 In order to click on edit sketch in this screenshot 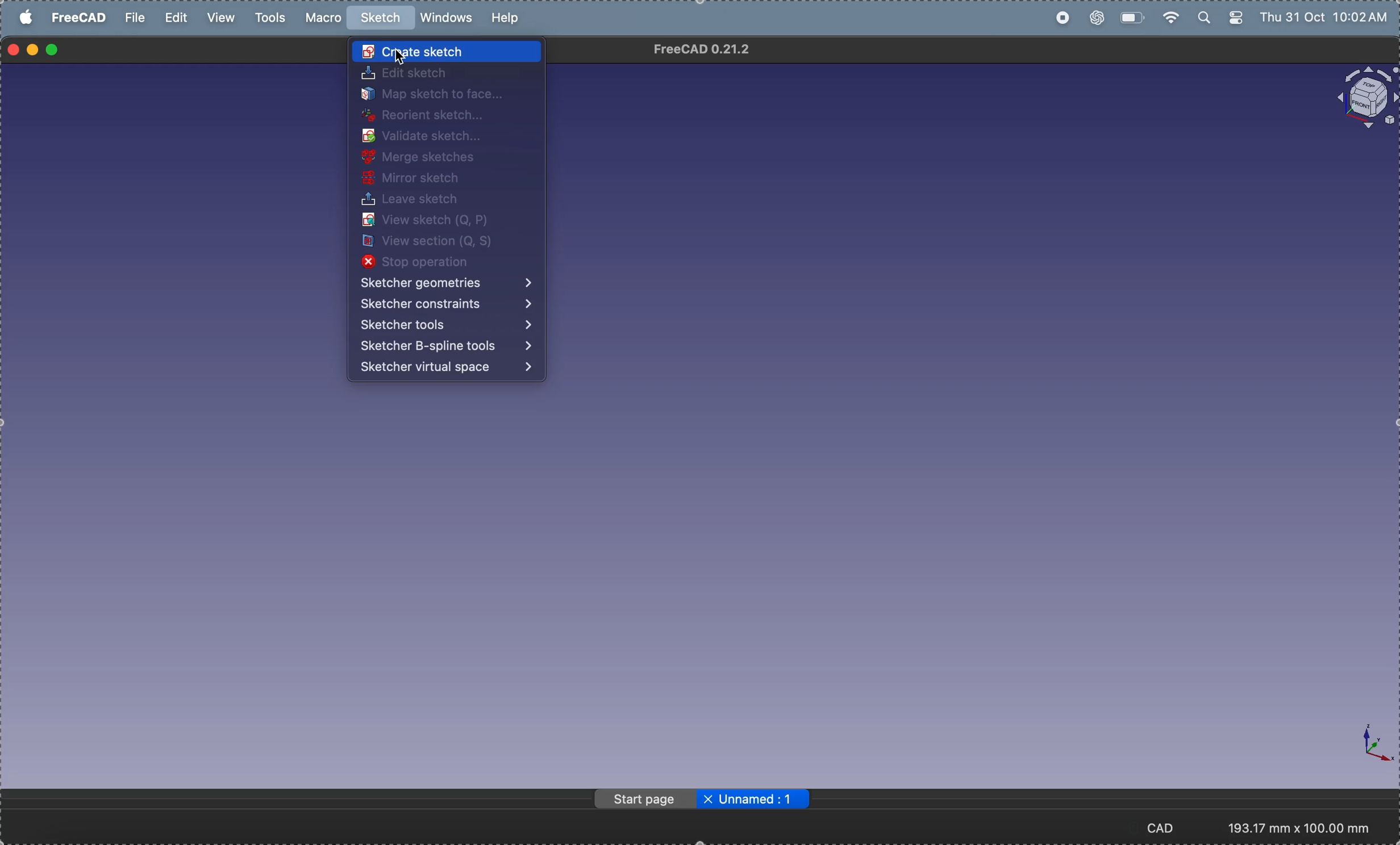, I will do `click(445, 75)`.